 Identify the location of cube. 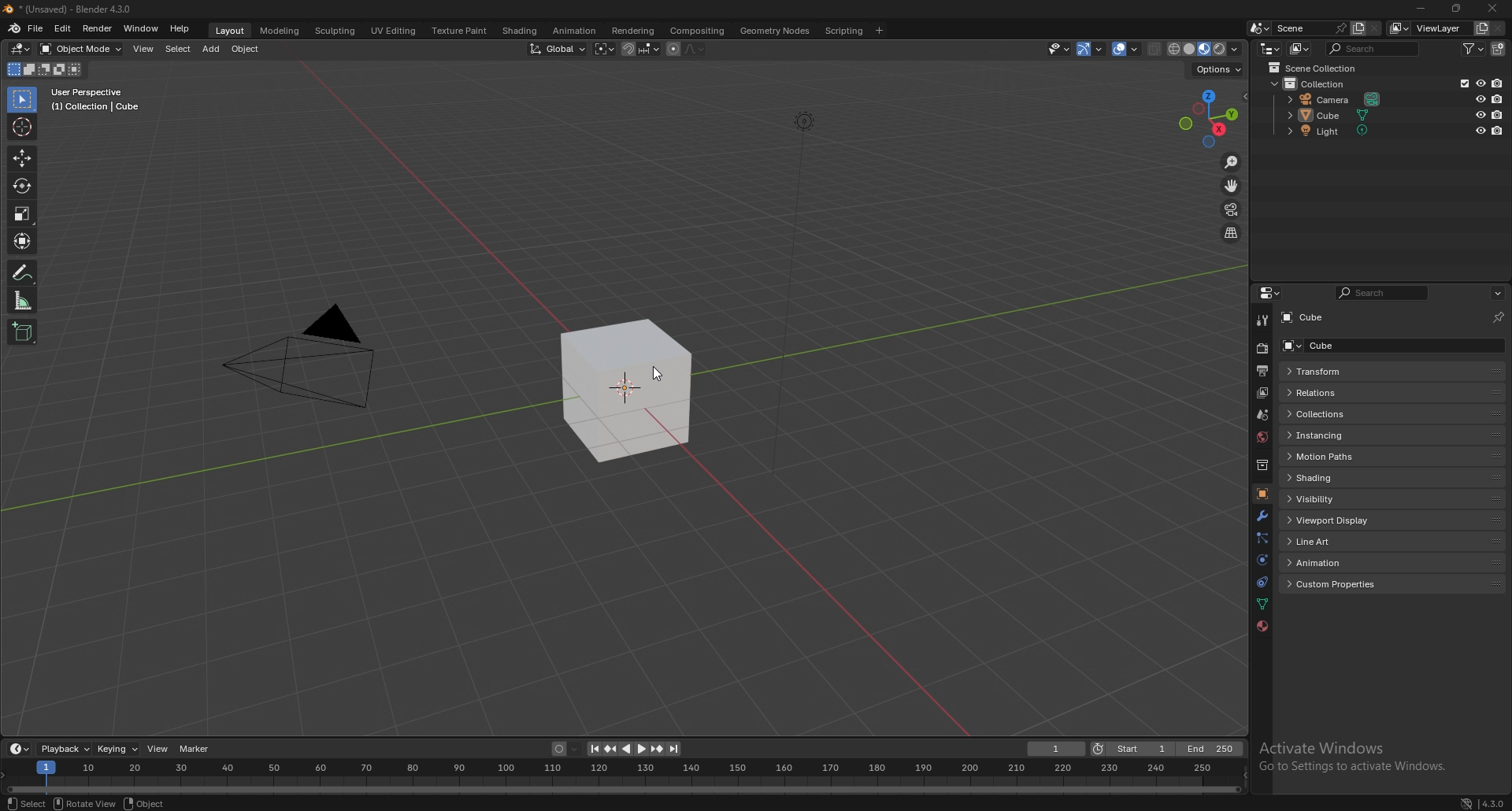
(1337, 346).